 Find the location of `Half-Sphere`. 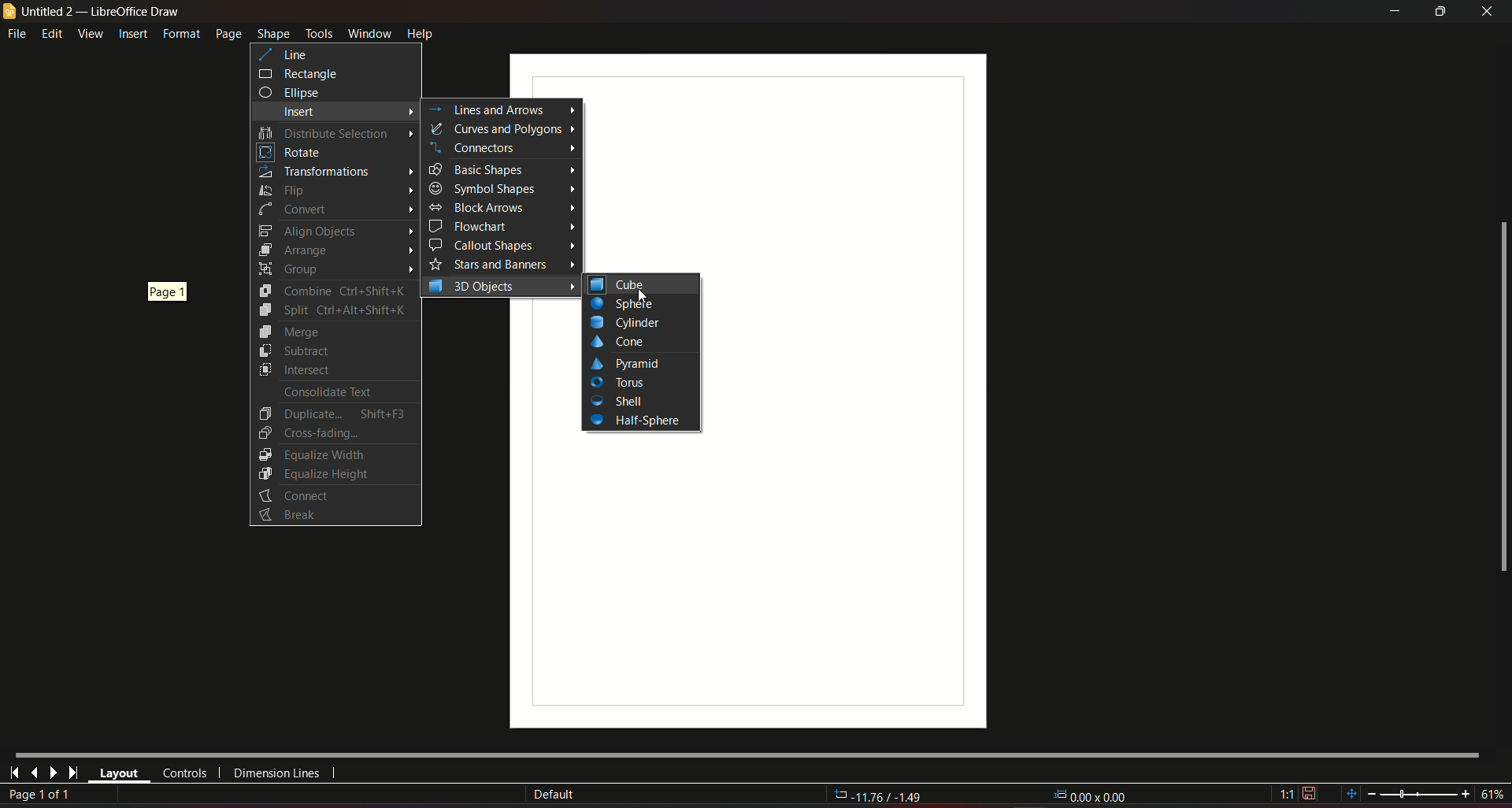

Half-Sphere is located at coordinates (636, 421).